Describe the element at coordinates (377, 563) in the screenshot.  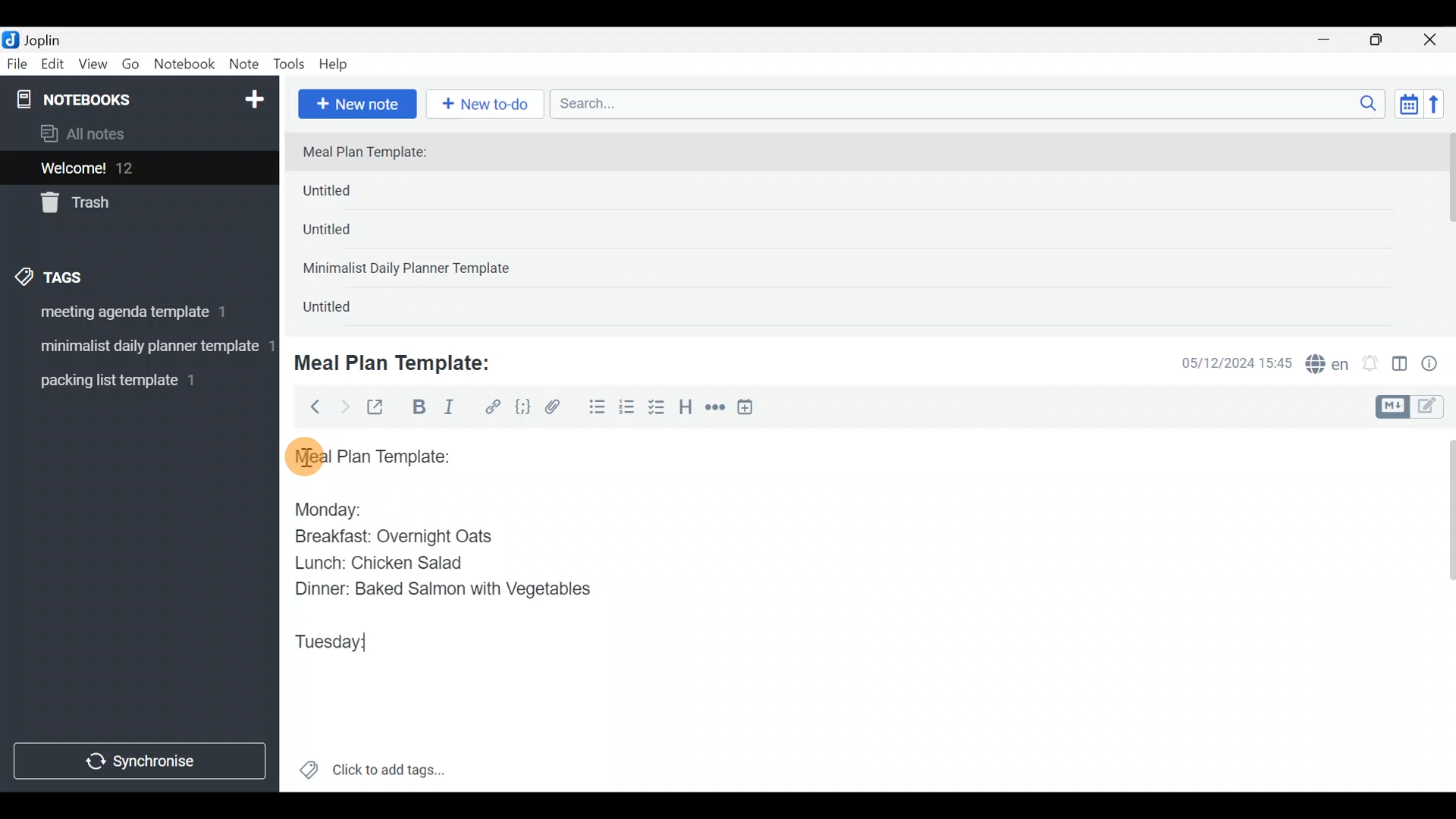
I see `Lunch: Chicken Salad` at that location.